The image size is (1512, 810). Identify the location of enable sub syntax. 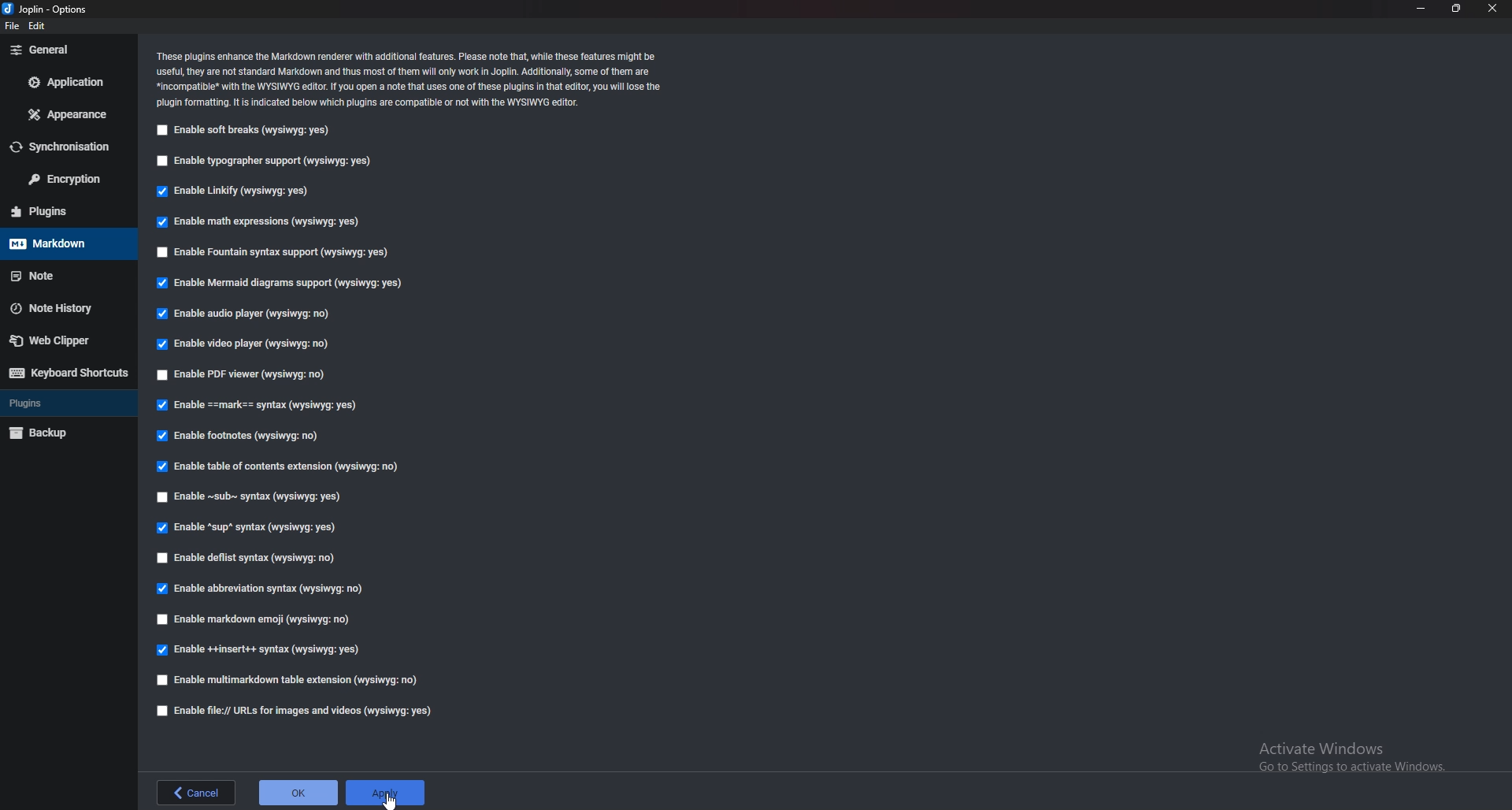
(251, 497).